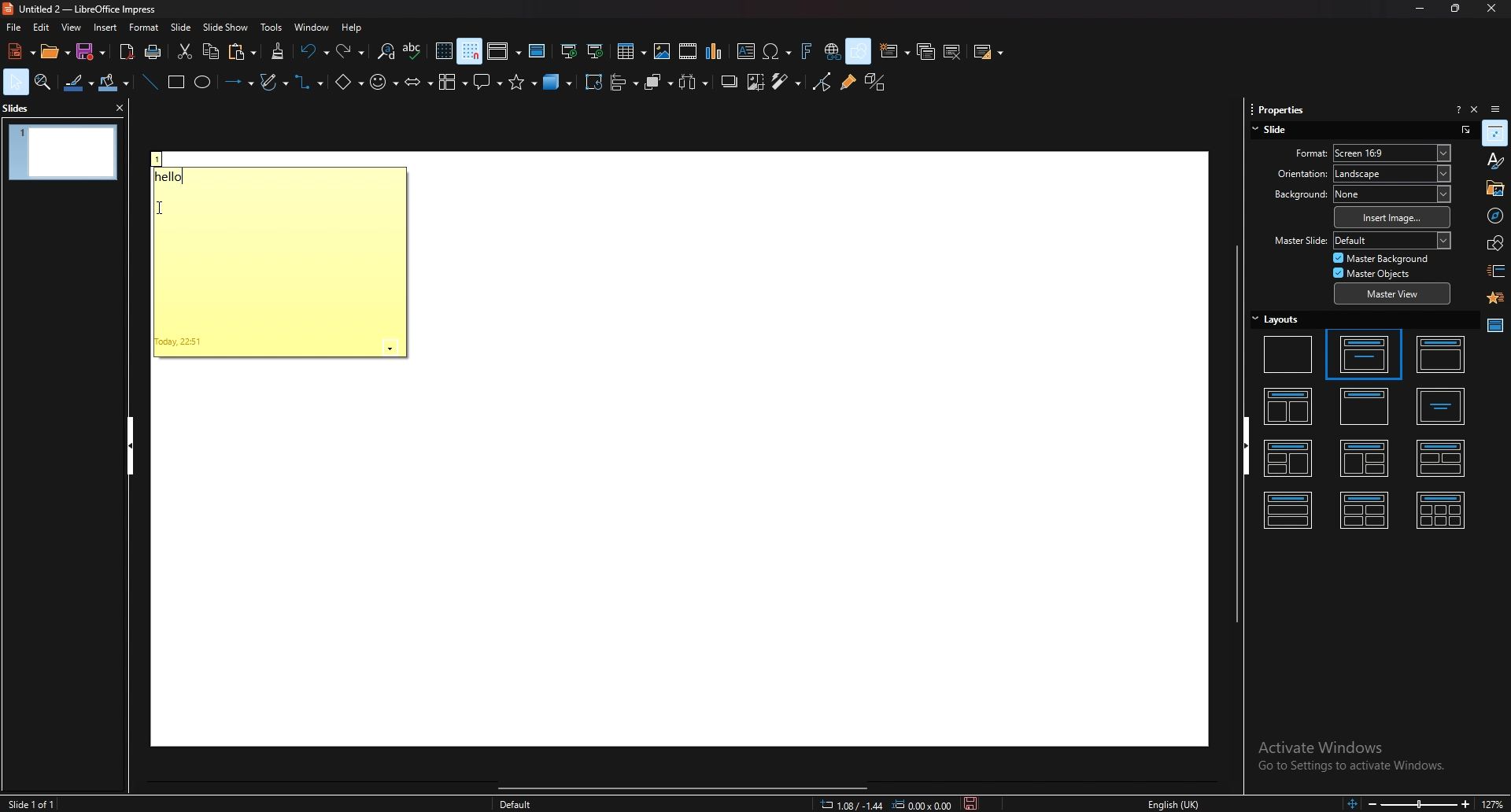 The height and width of the screenshot is (812, 1511). What do you see at coordinates (183, 27) in the screenshot?
I see `slide` at bounding box center [183, 27].